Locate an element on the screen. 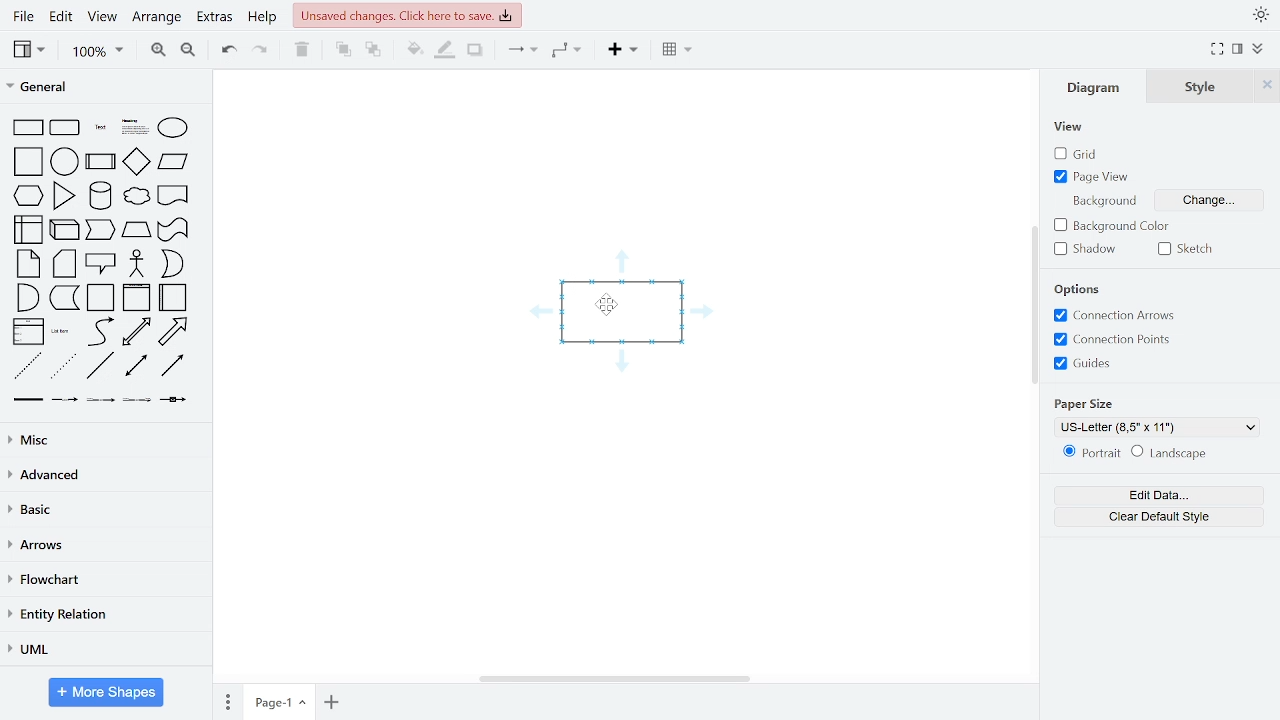  help is located at coordinates (262, 19).